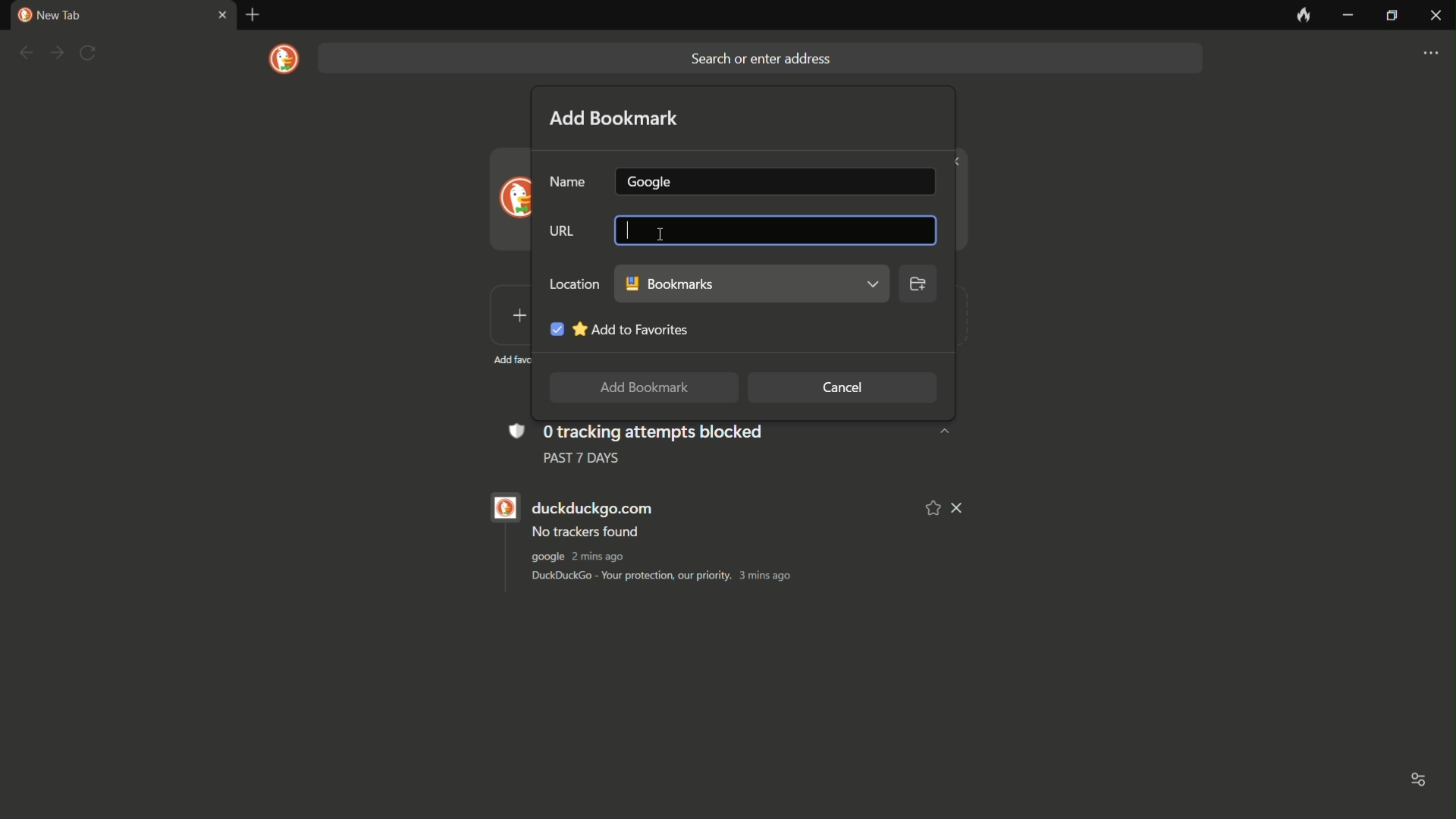 Image resolution: width=1456 pixels, height=819 pixels. What do you see at coordinates (758, 58) in the screenshot?
I see `search bar` at bounding box center [758, 58].